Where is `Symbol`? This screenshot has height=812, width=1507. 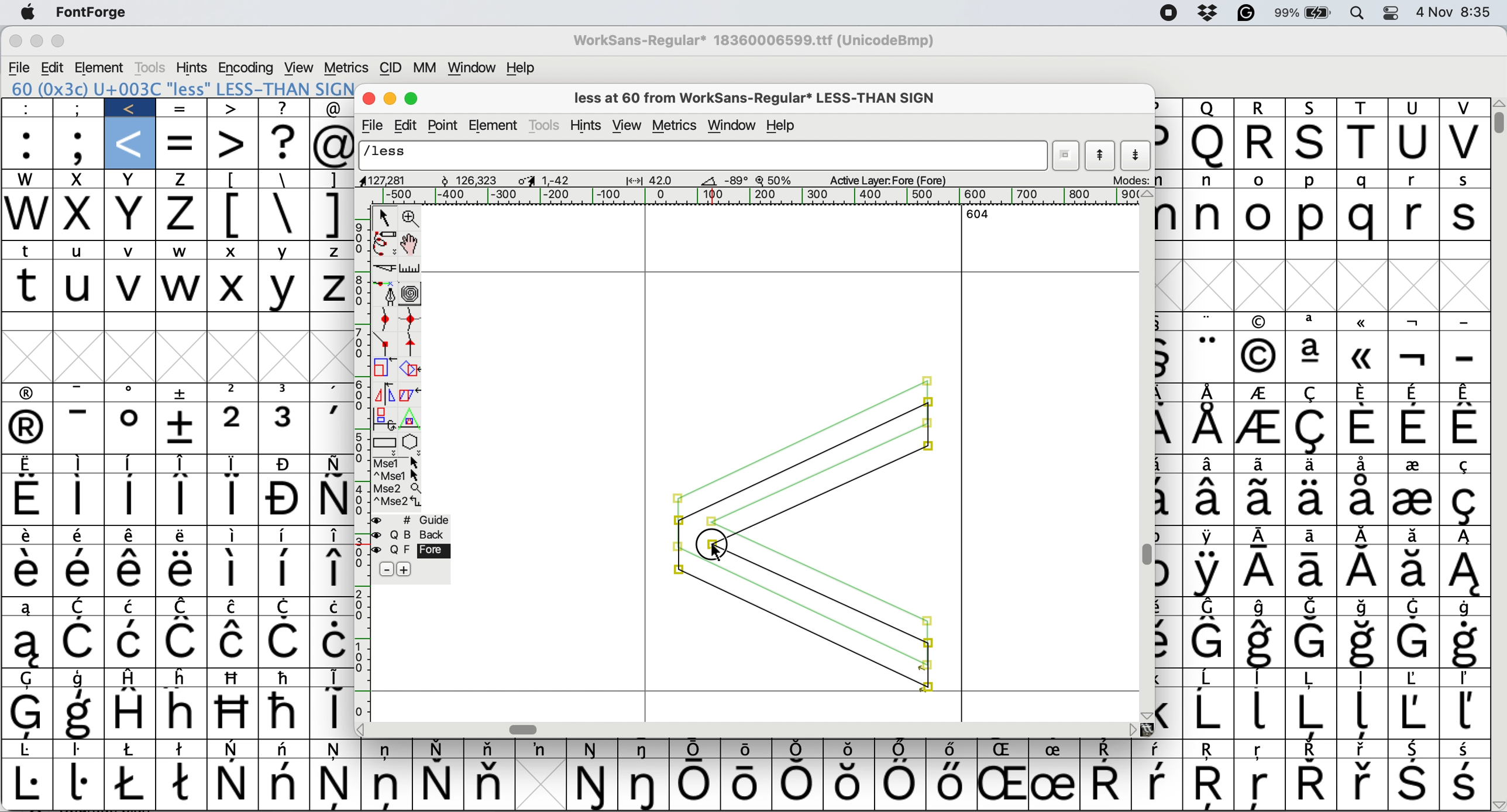
Symbol is located at coordinates (183, 677).